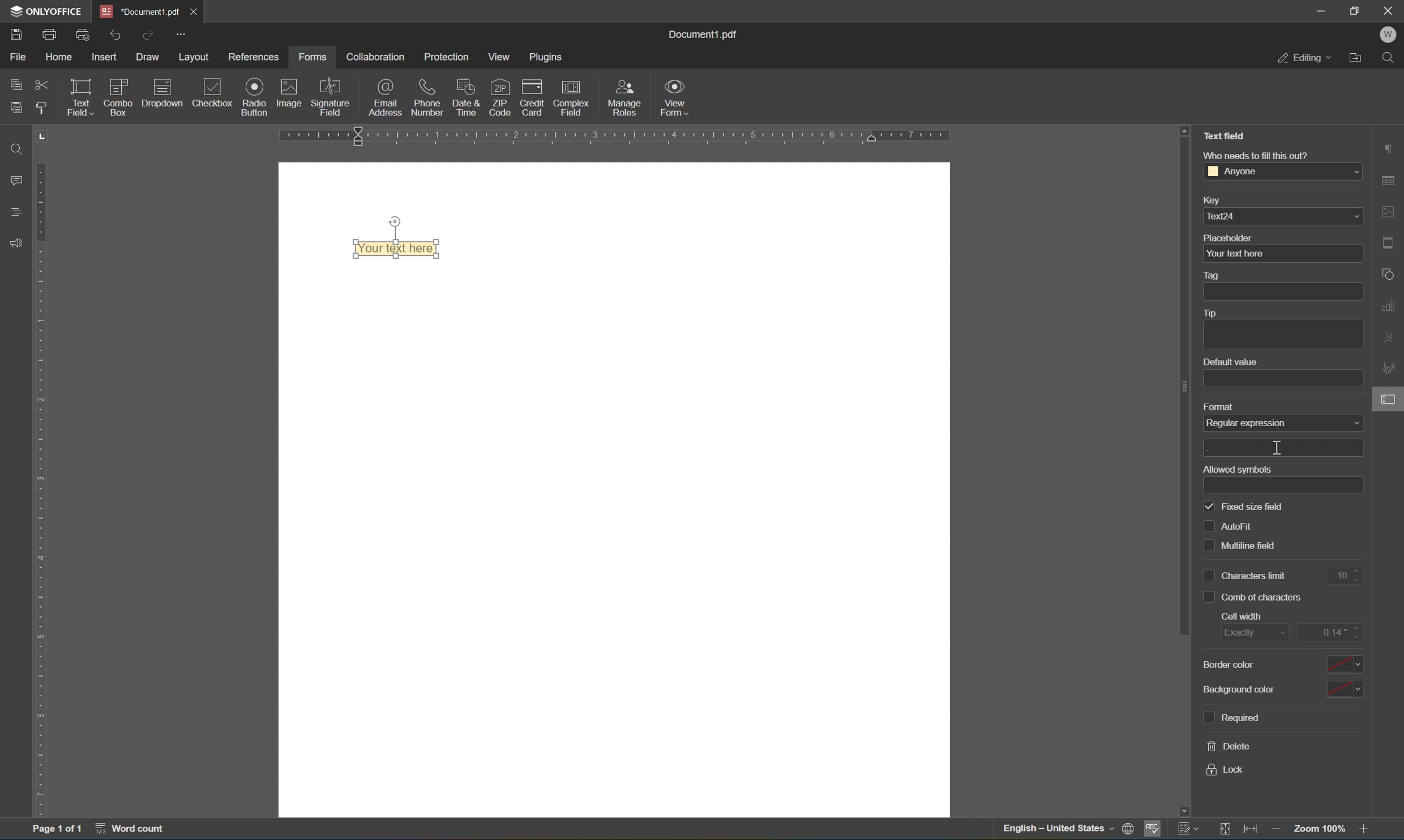 The height and width of the screenshot is (840, 1404). Describe the element at coordinates (42, 86) in the screenshot. I see `cut` at that location.